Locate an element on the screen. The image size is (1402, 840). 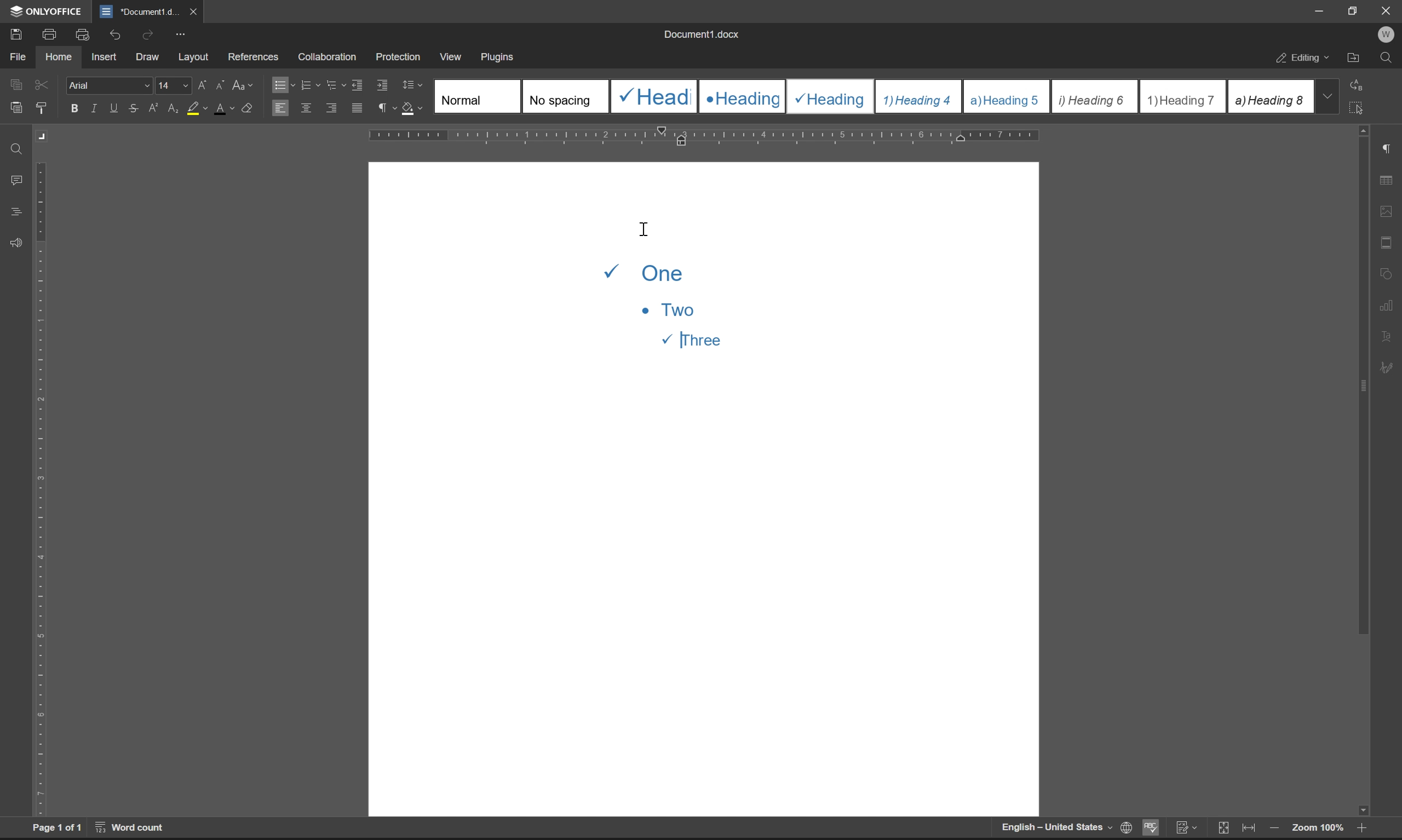
file is located at coordinates (17, 57).